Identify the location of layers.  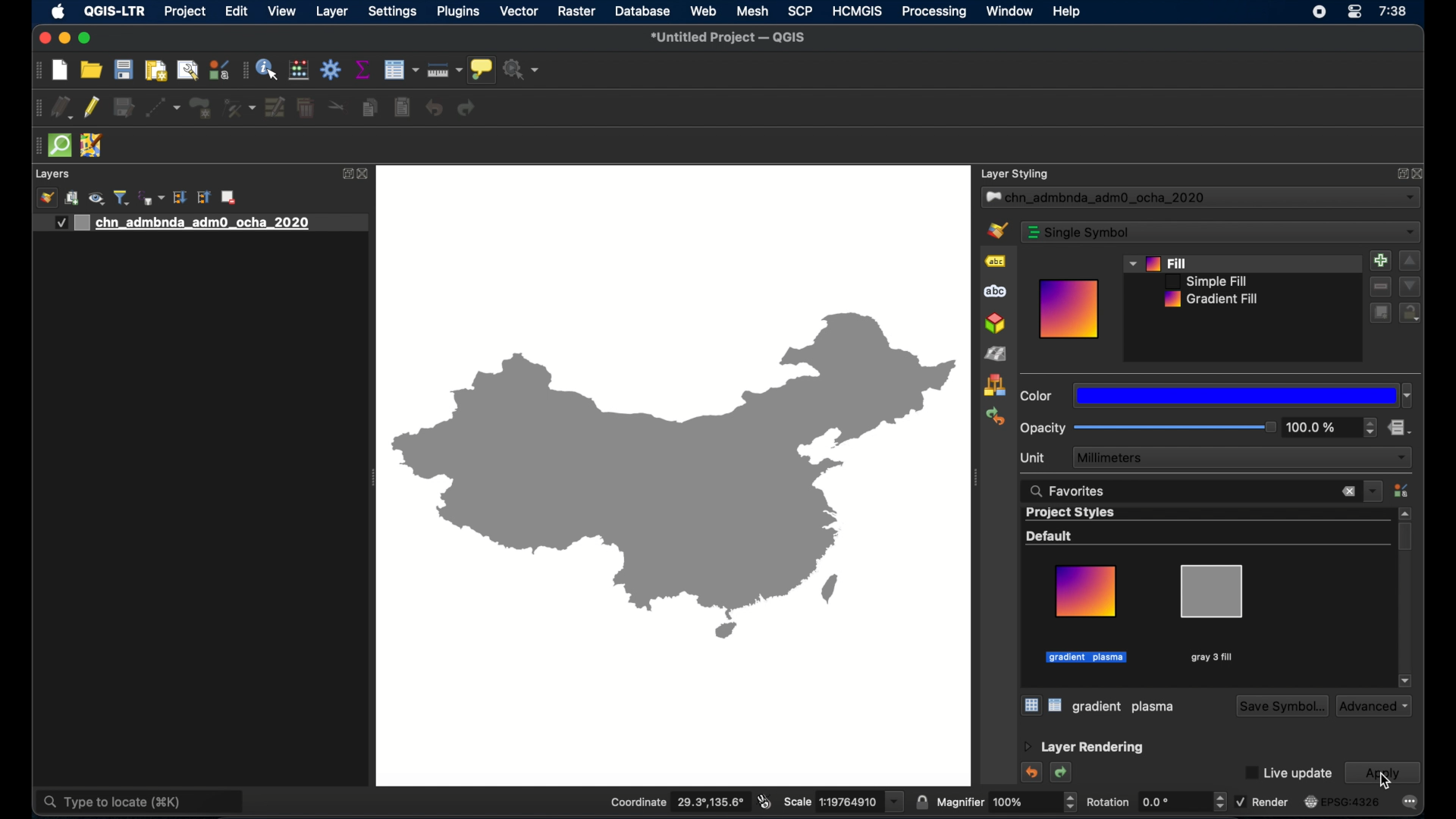
(52, 174).